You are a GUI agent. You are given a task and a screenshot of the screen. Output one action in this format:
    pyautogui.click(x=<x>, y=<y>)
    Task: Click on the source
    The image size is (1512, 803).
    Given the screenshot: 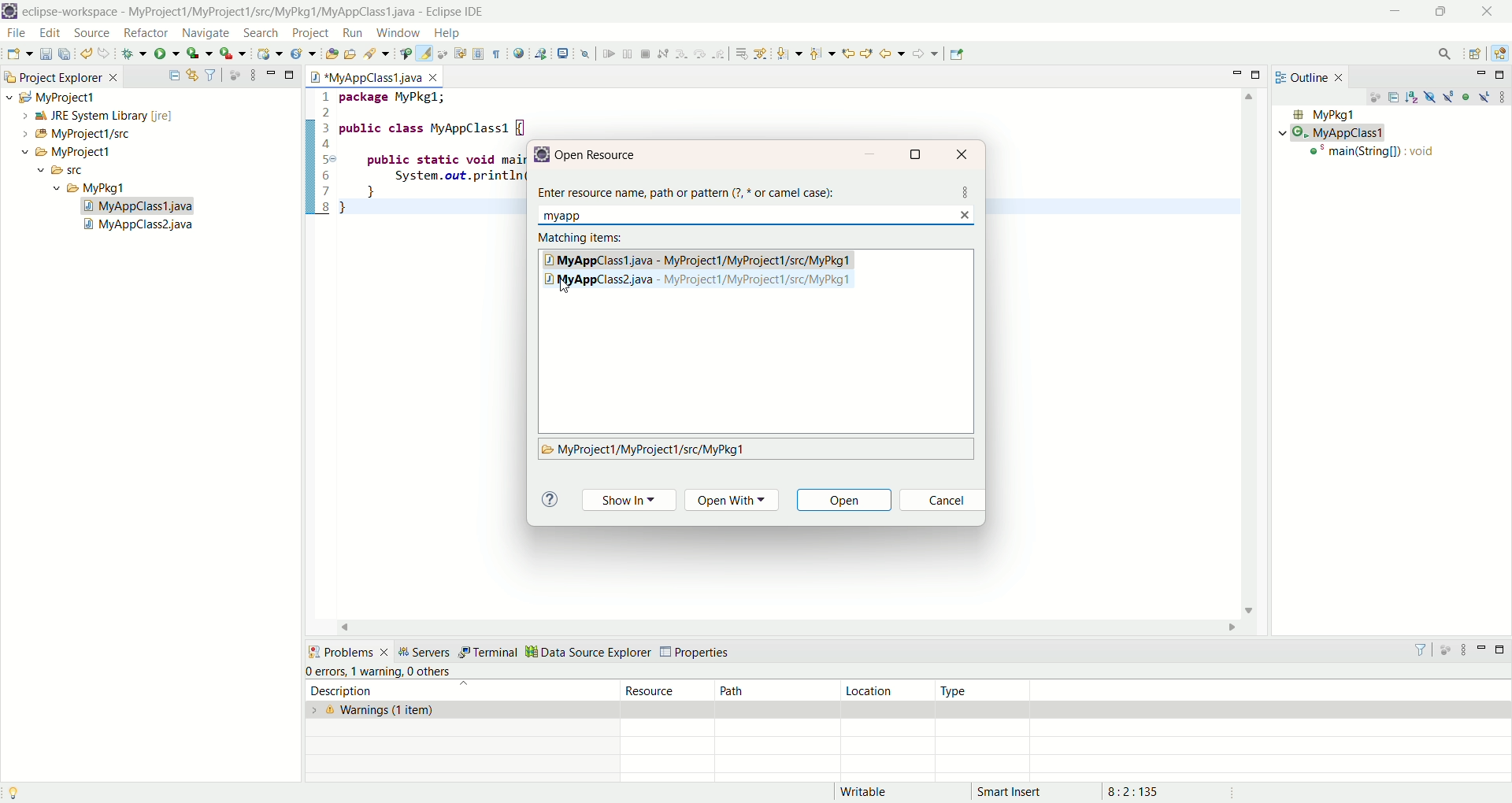 What is the action you would take?
    pyautogui.click(x=94, y=34)
    